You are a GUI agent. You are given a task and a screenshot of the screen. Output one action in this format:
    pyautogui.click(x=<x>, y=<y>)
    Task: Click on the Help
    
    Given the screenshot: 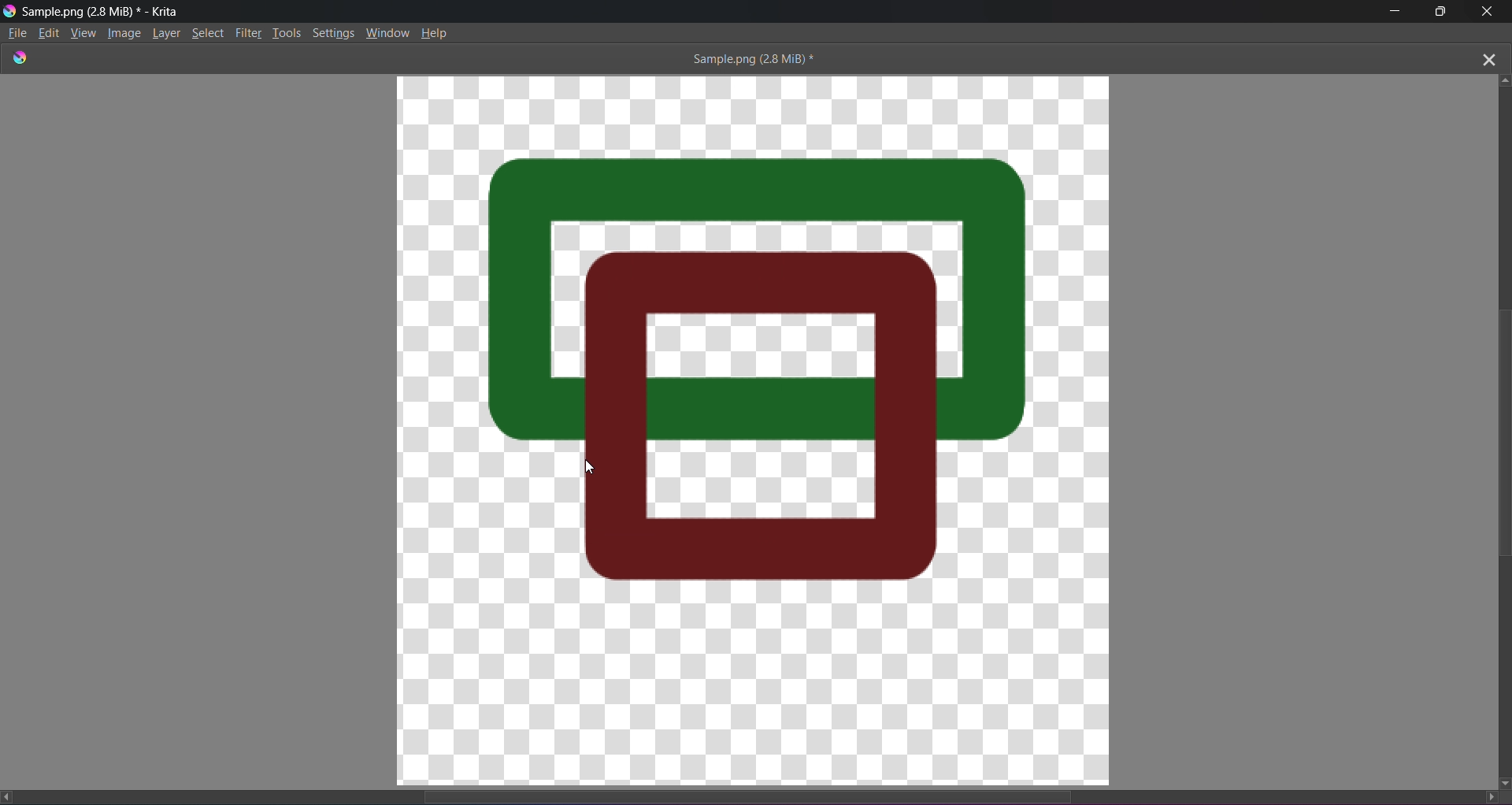 What is the action you would take?
    pyautogui.click(x=436, y=32)
    